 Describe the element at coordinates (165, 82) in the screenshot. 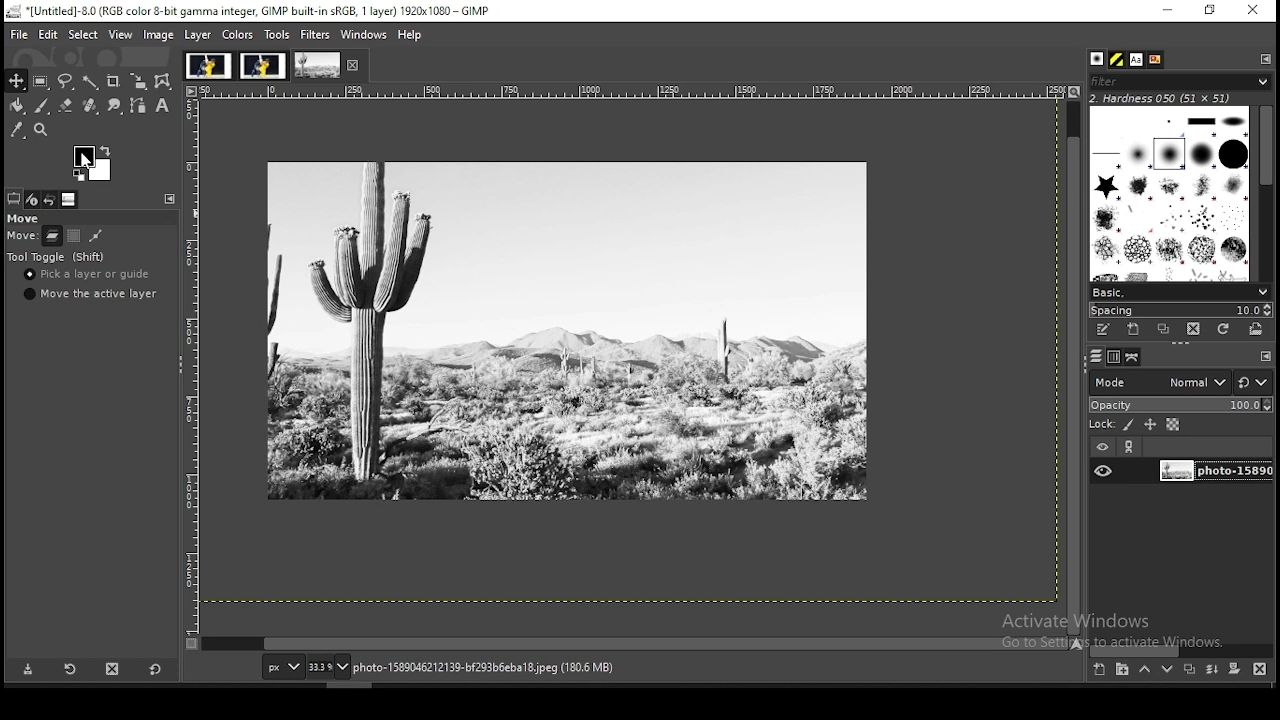

I see `cage transform` at that location.